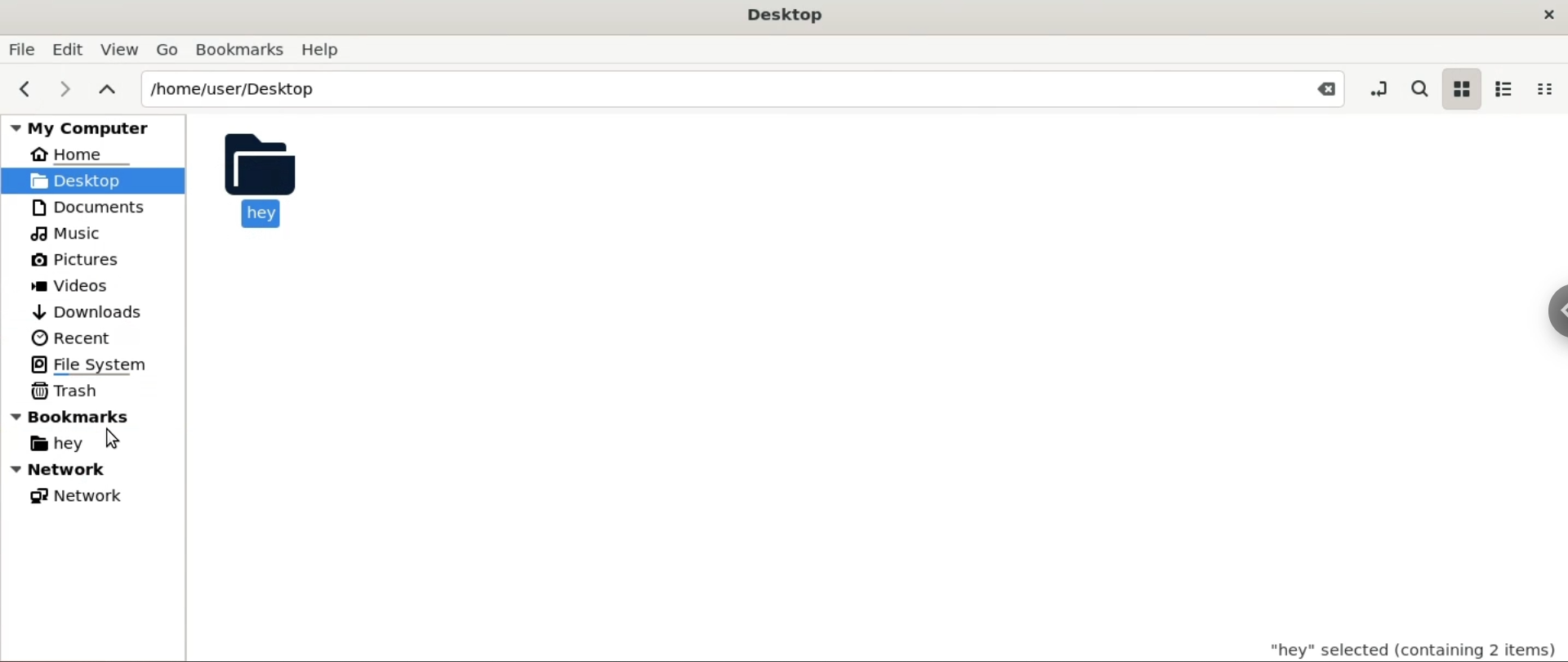 The height and width of the screenshot is (662, 1568). What do you see at coordinates (82, 287) in the screenshot?
I see `Videos` at bounding box center [82, 287].